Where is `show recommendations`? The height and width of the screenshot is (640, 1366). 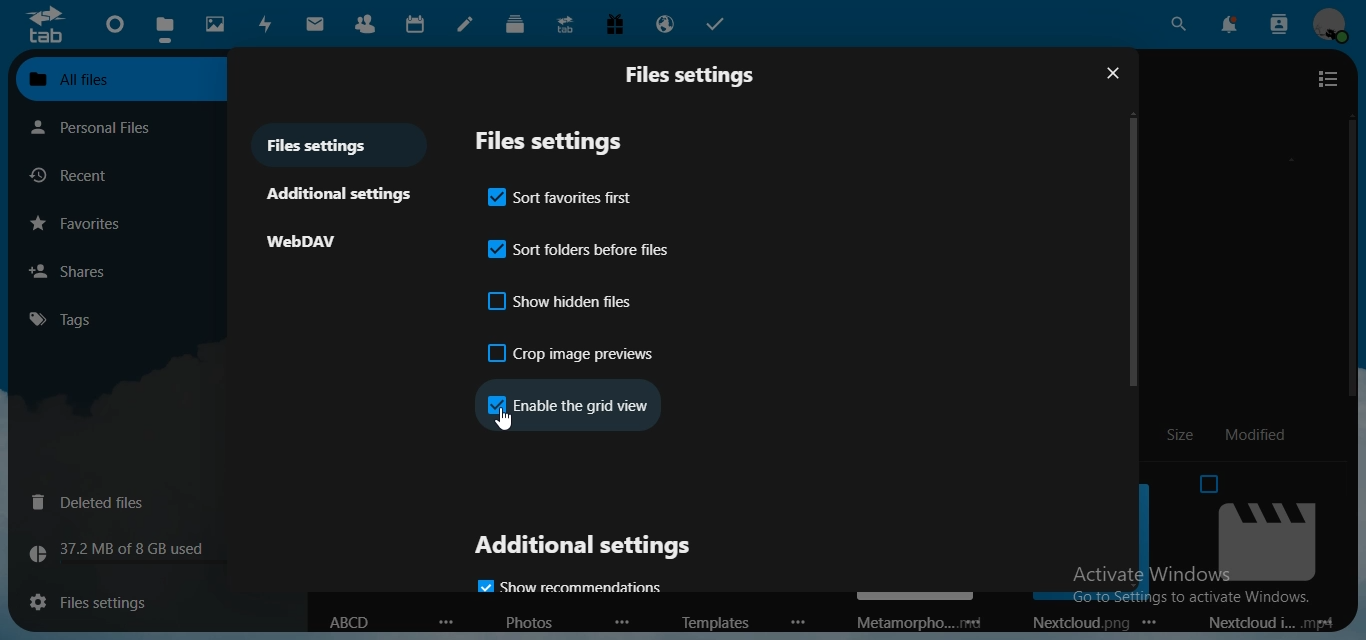 show recommendations is located at coordinates (575, 585).